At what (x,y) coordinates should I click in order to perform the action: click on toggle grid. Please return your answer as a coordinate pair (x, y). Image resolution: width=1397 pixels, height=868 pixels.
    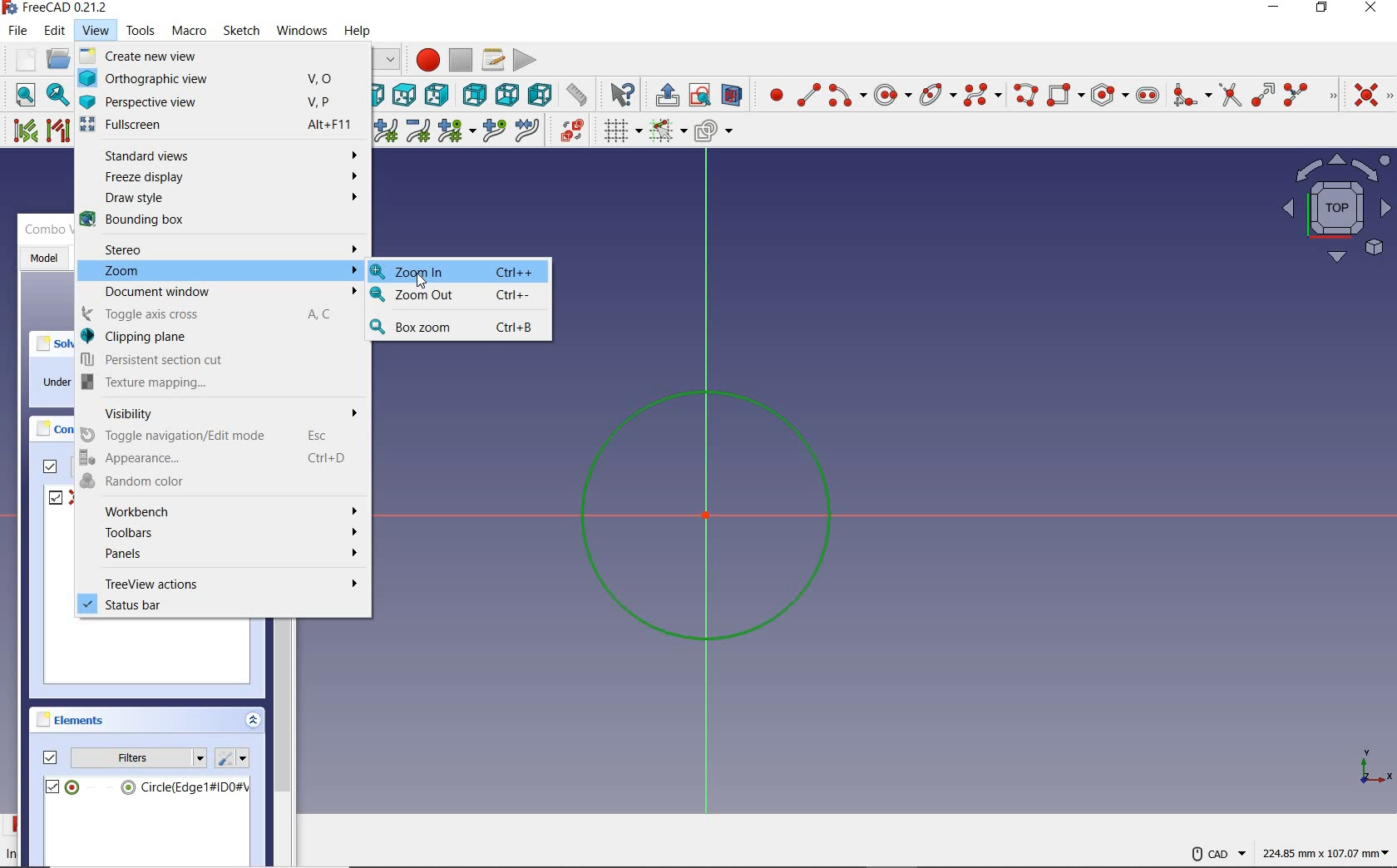
    Looking at the image, I should click on (618, 131).